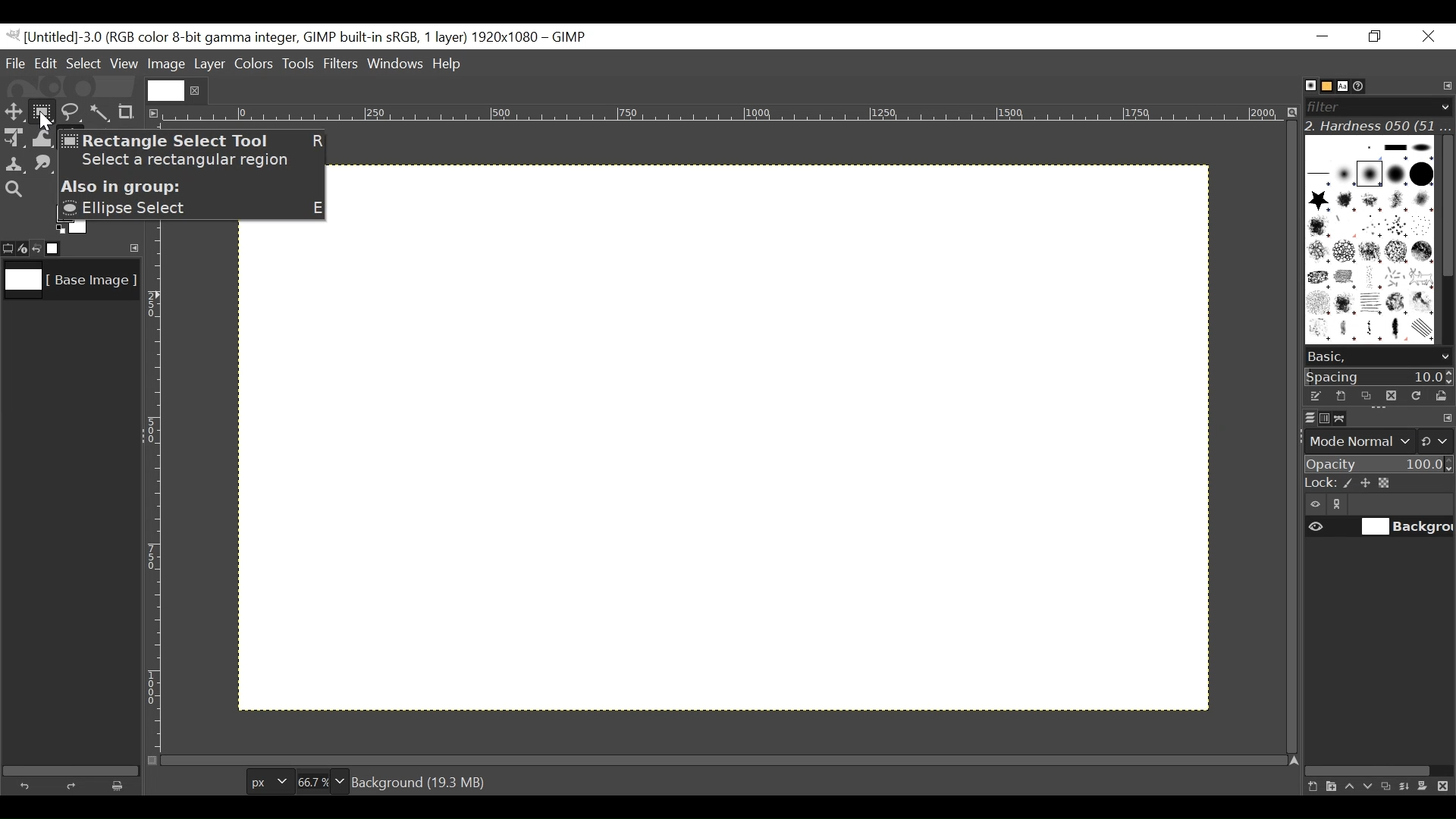  What do you see at coordinates (209, 63) in the screenshot?
I see `Layer` at bounding box center [209, 63].